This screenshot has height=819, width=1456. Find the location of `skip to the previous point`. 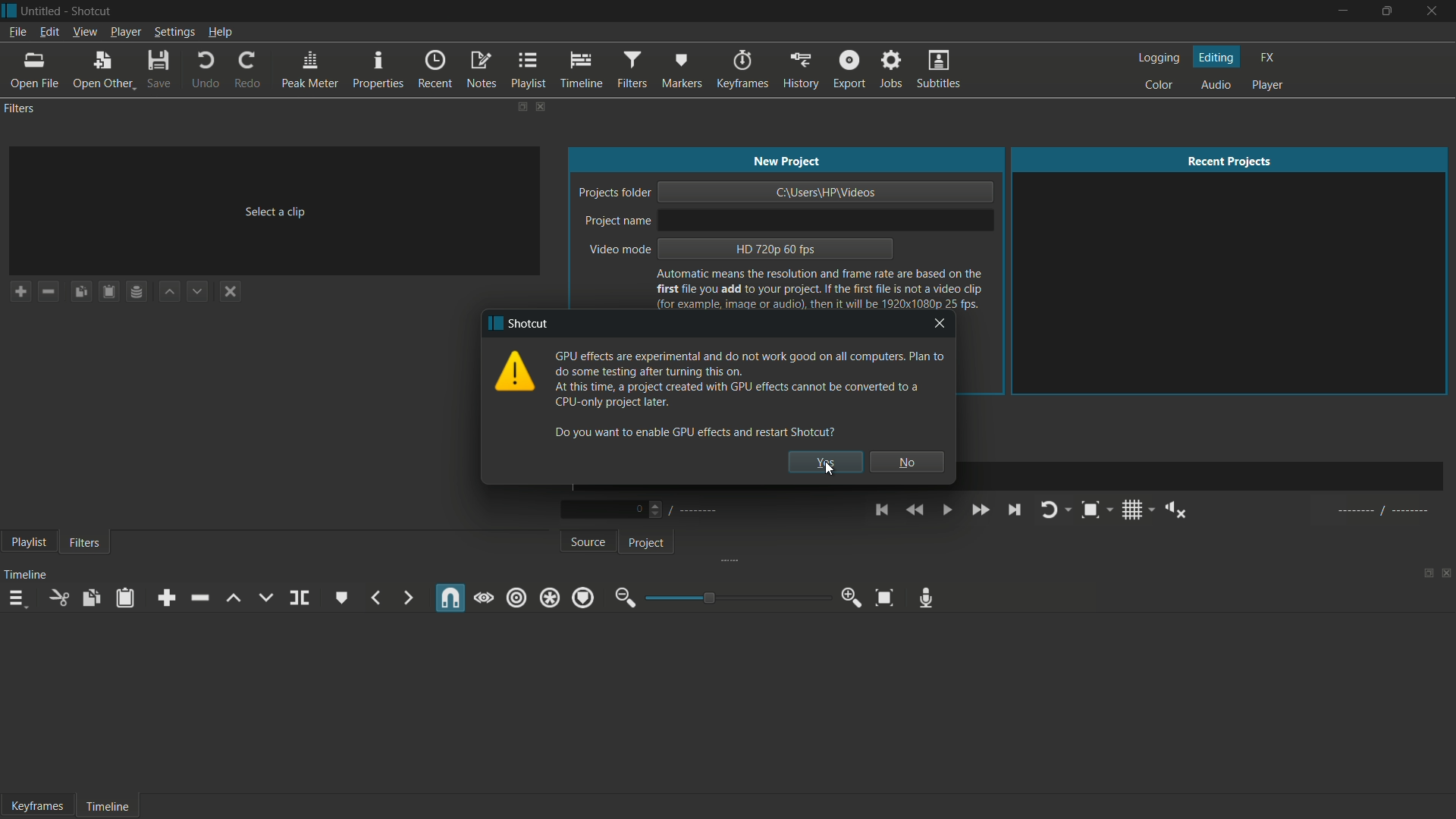

skip to the previous point is located at coordinates (881, 510).